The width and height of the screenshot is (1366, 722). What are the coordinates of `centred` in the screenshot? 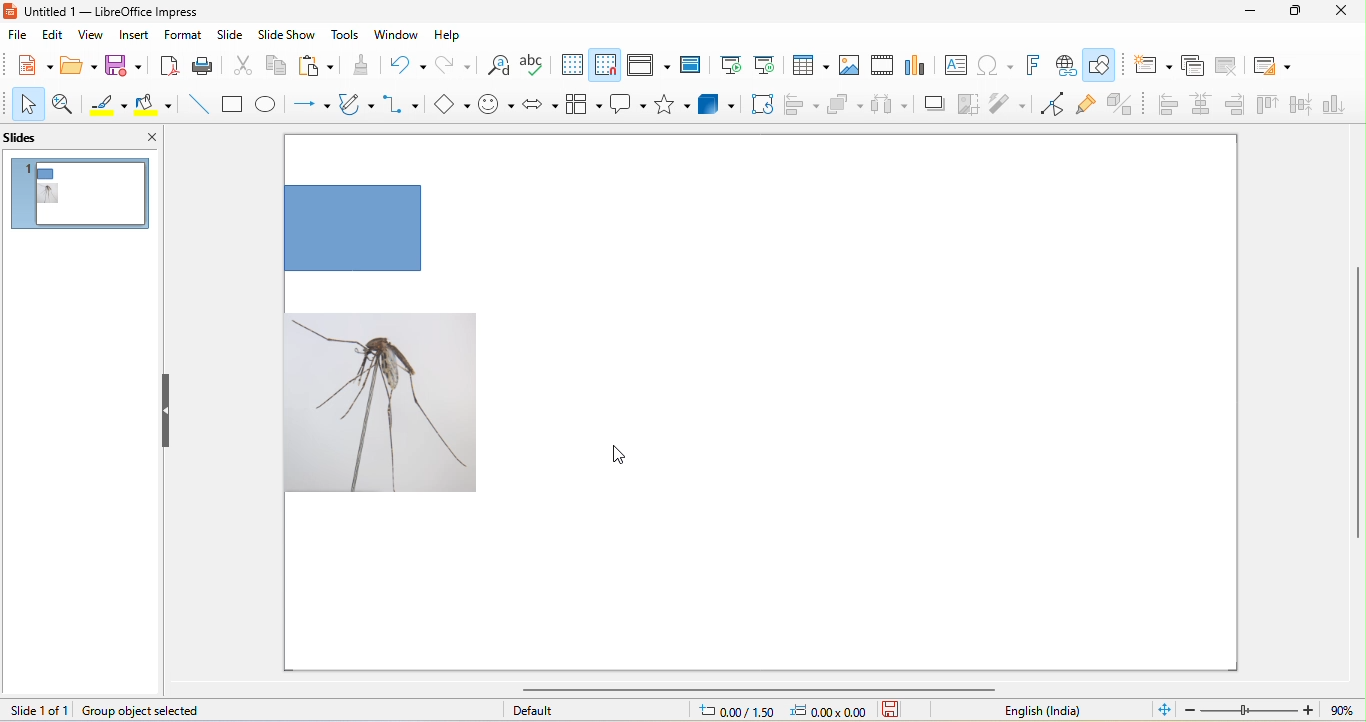 It's located at (1202, 105).